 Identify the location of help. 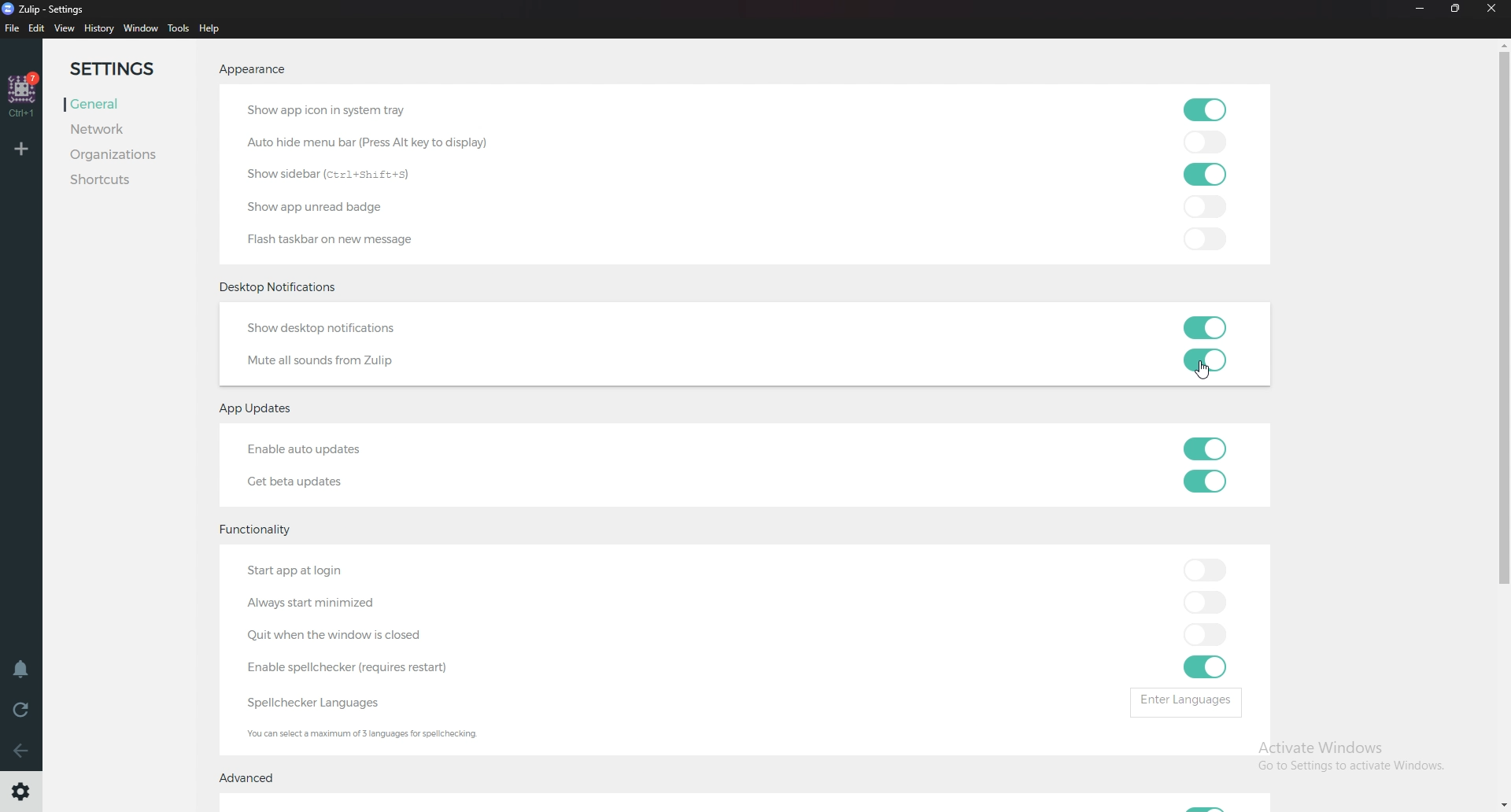
(210, 28).